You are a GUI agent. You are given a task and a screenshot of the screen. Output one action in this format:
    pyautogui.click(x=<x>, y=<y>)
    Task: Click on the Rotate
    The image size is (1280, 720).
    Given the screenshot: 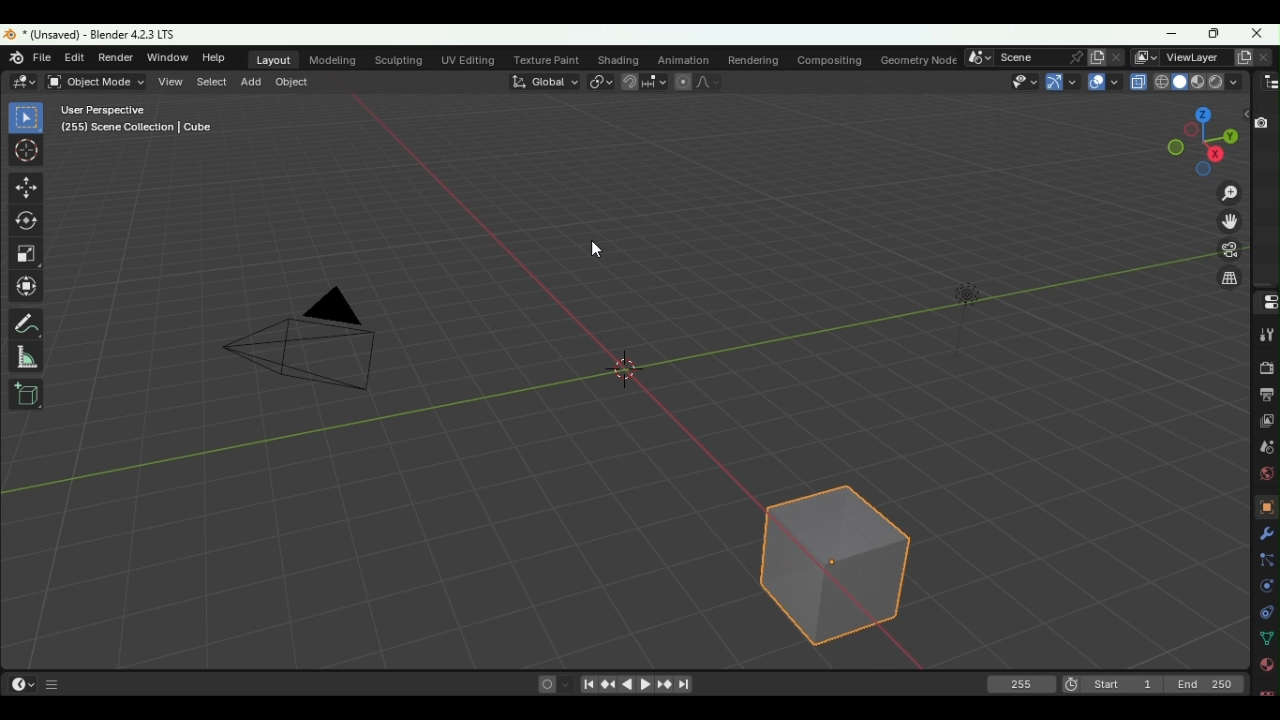 What is the action you would take?
    pyautogui.click(x=29, y=222)
    